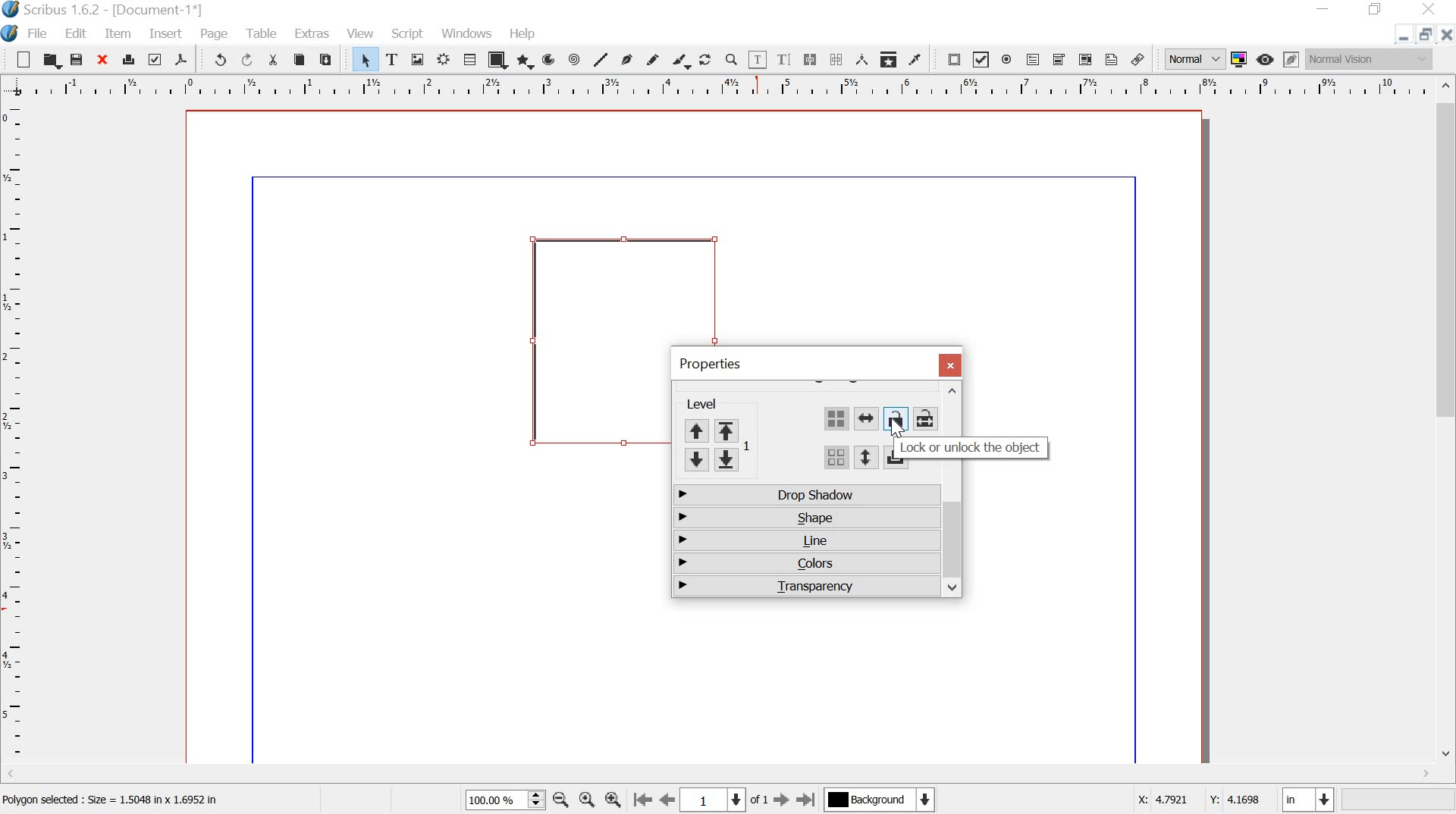 Image resolution: width=1456 pixels, height=814 pixels. Describe the element at coordinates (313, 33) in the screenshot. I see `extras` at that location.